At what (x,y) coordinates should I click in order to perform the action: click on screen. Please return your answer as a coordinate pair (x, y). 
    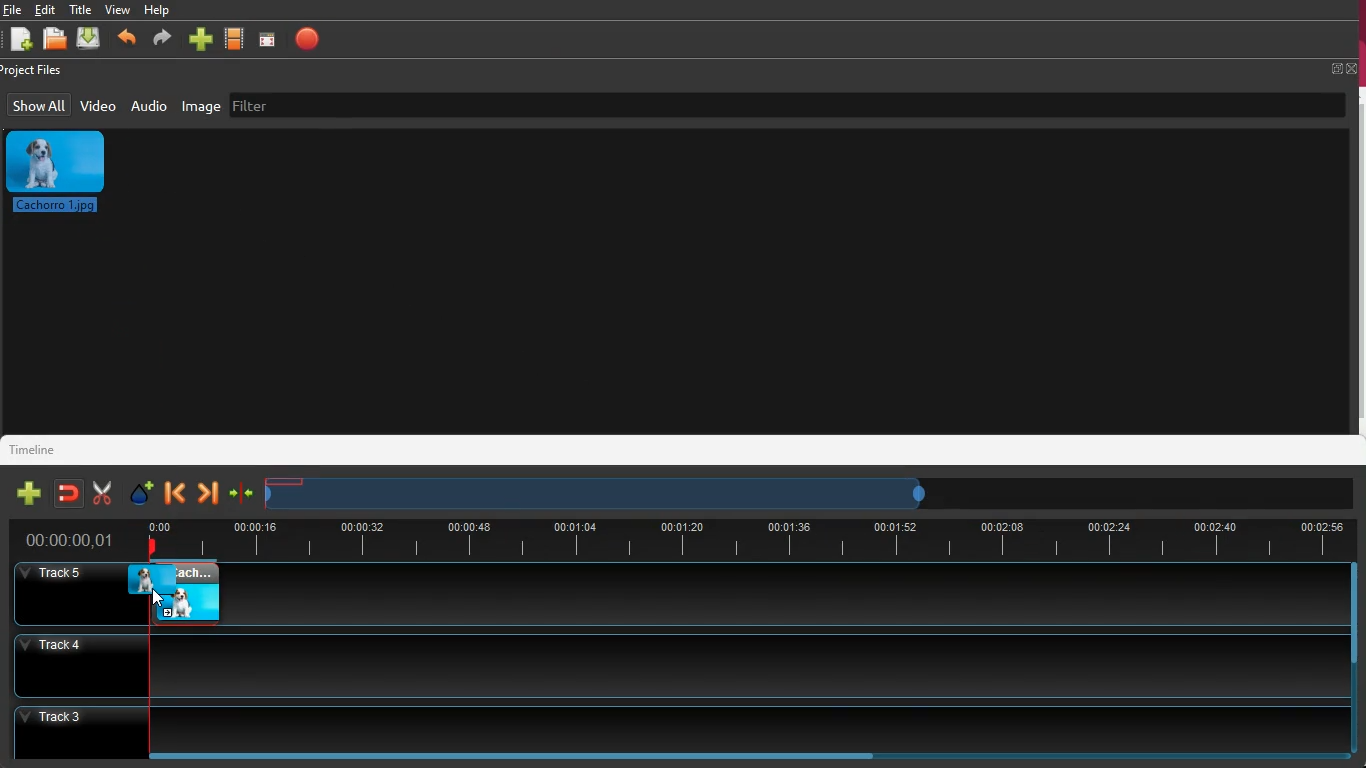
    Looking at the image, I should click on (271, 39).